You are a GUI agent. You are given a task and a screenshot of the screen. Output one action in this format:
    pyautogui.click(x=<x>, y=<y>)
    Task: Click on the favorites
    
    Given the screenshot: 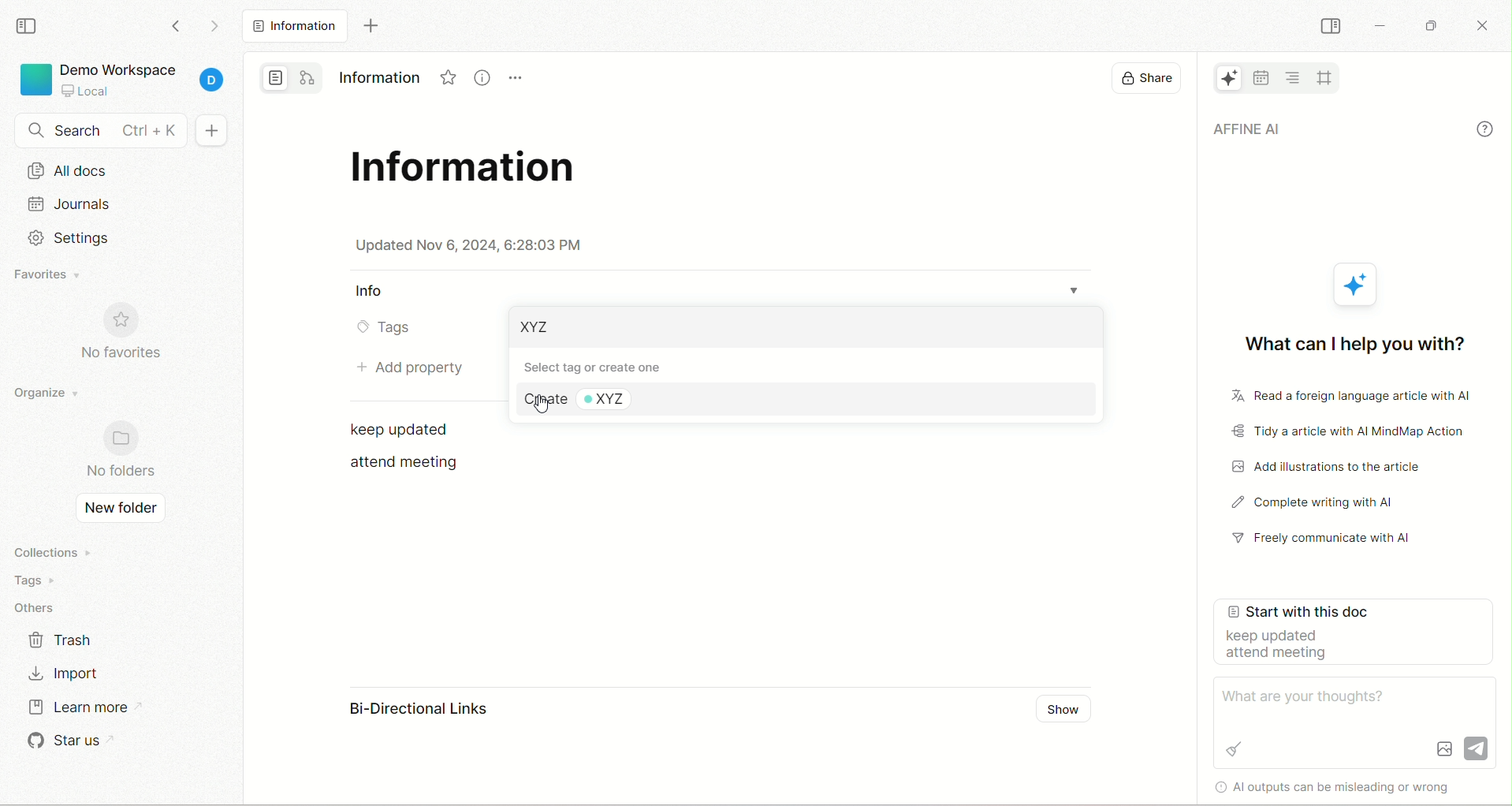 What is the action you would take?
    pyautogui.click(x=48, y=274)
    